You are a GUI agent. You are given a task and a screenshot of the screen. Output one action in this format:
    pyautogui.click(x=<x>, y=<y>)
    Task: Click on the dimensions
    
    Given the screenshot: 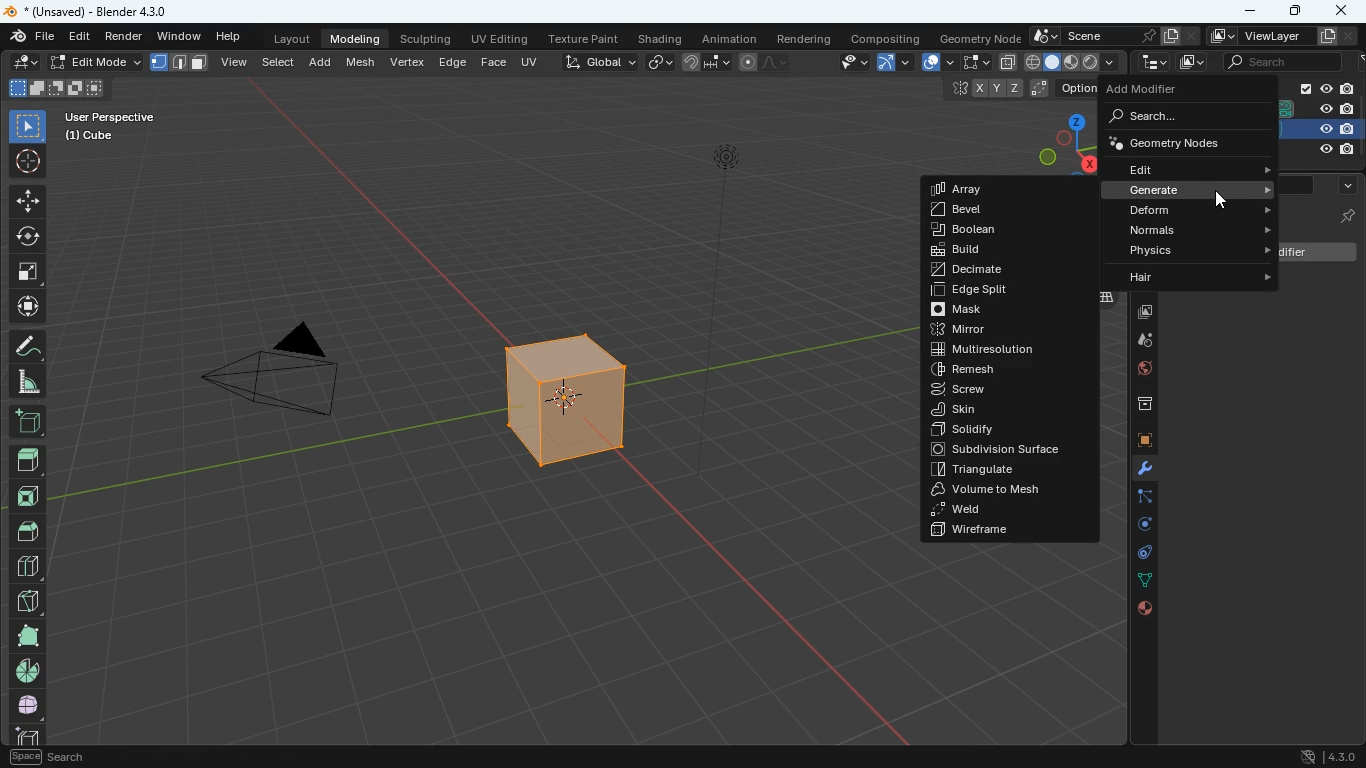 What is the action you would take?
    pyautogui.click(x=1056, y=144)
    